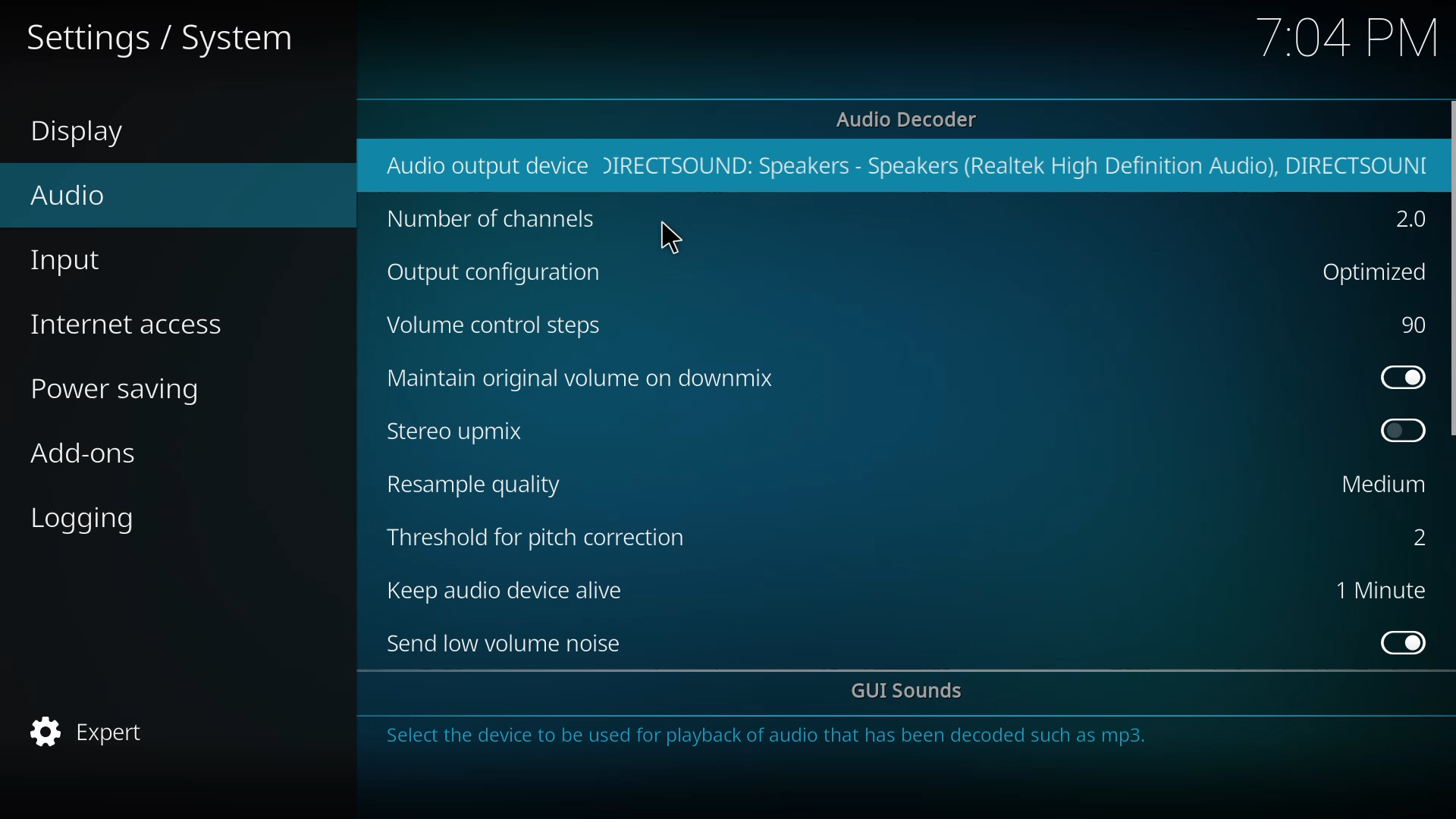  I want to click on audio decoder, so click(908, 120).